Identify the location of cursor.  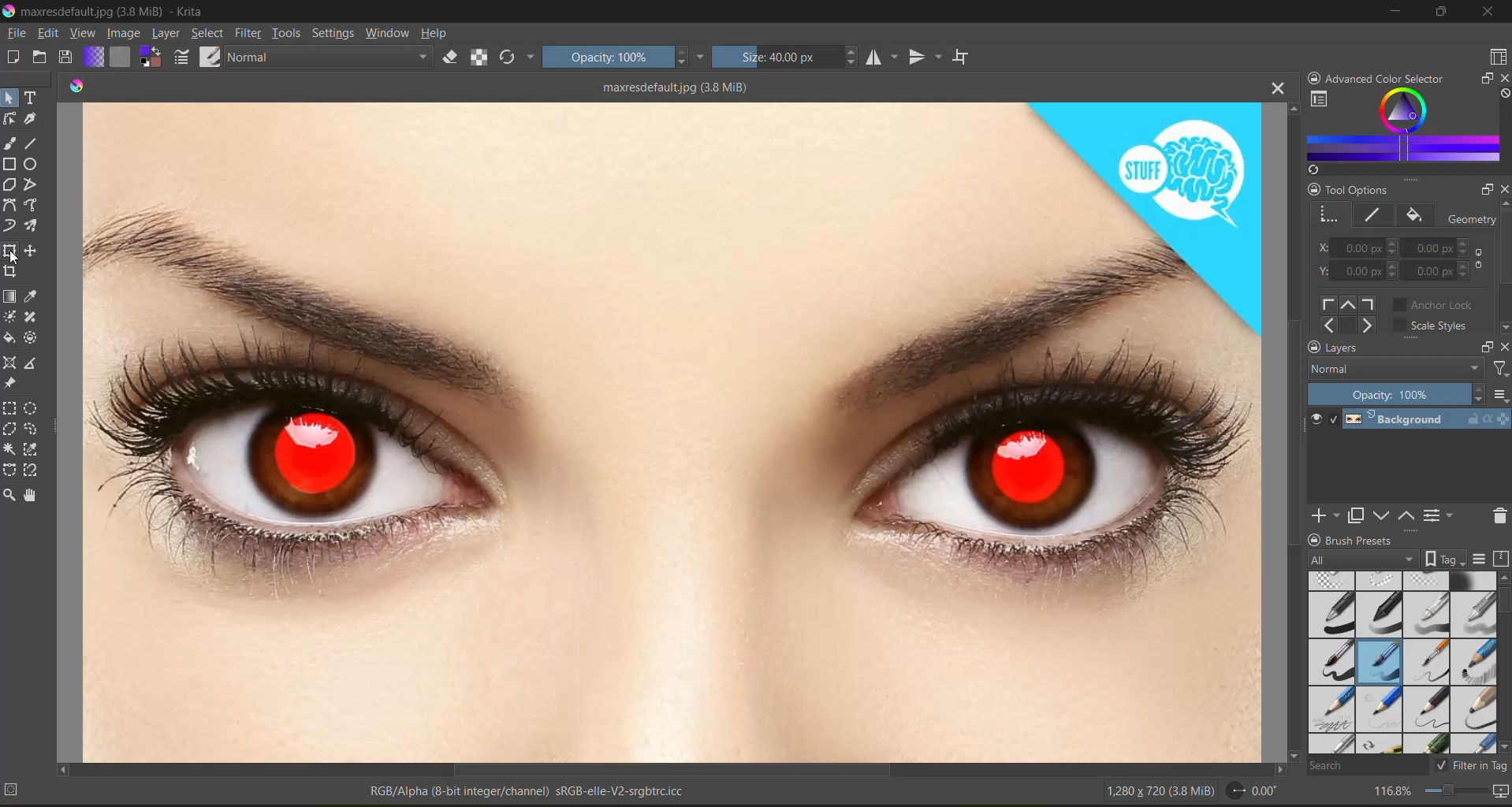
(13, 259).